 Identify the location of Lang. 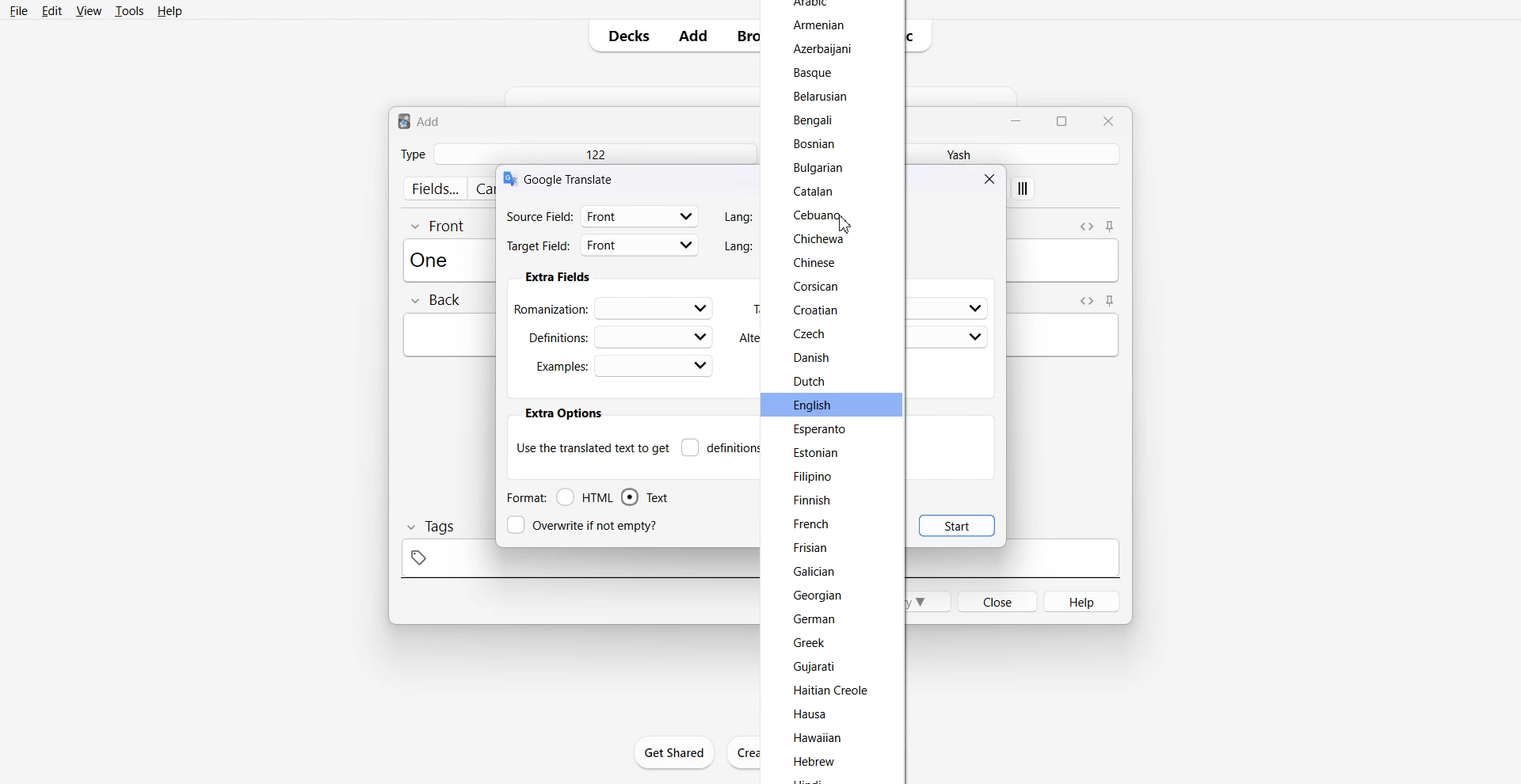
(740, 247).